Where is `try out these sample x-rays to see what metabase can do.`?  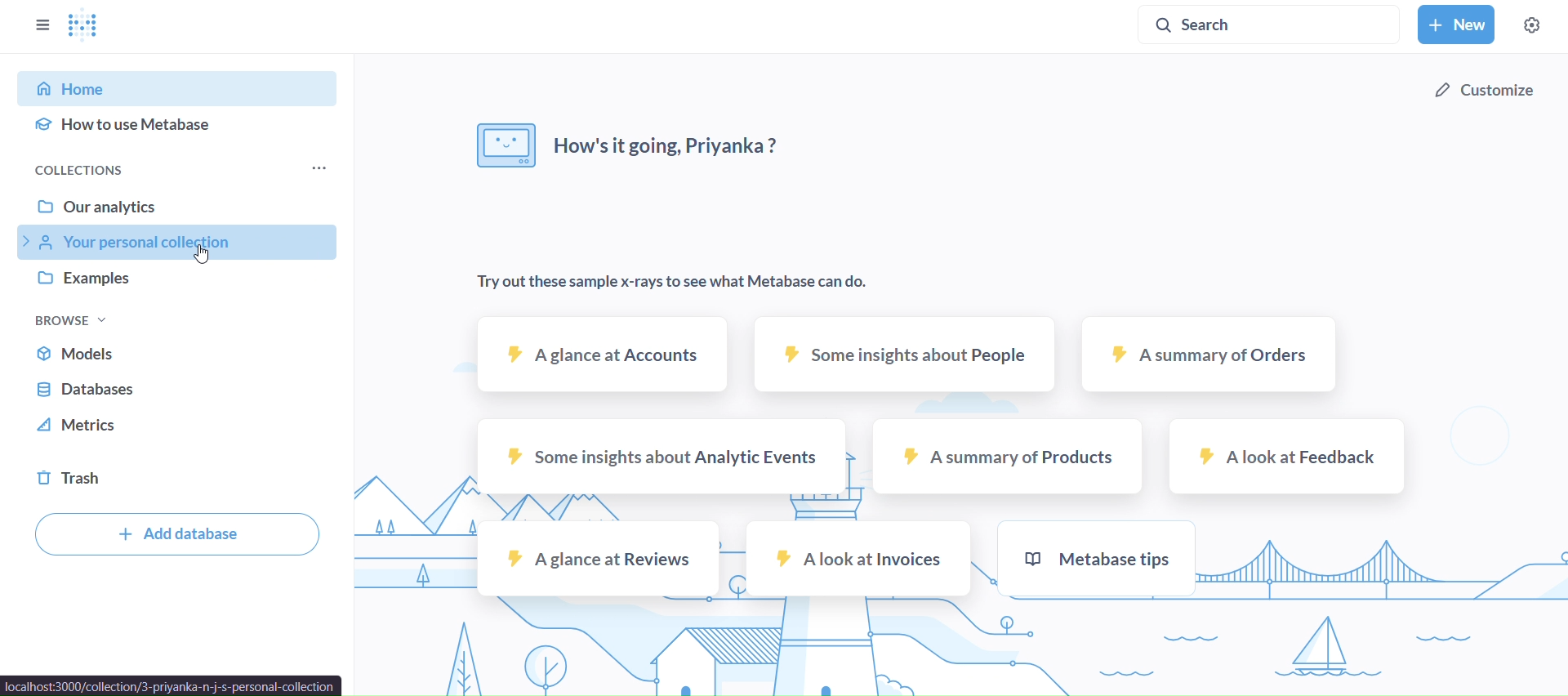
try out these sample x-rays to see what metabase can do. is located at coordinates (679, 280).